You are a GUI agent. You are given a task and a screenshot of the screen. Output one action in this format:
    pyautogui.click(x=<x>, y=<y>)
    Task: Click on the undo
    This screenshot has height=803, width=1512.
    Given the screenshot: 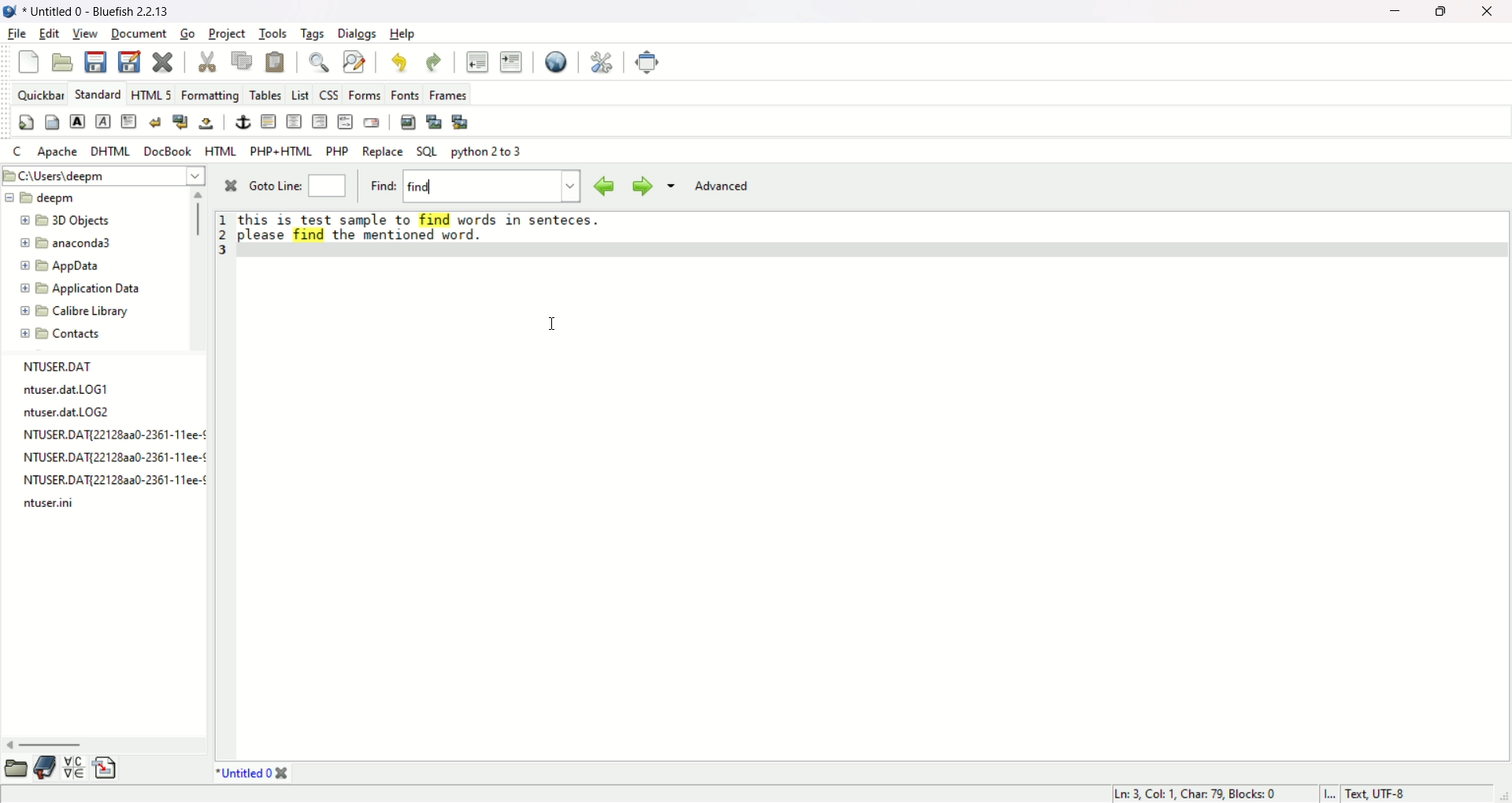 What is the action you would take?
    pyautogui.click(x=398, y=62)
    